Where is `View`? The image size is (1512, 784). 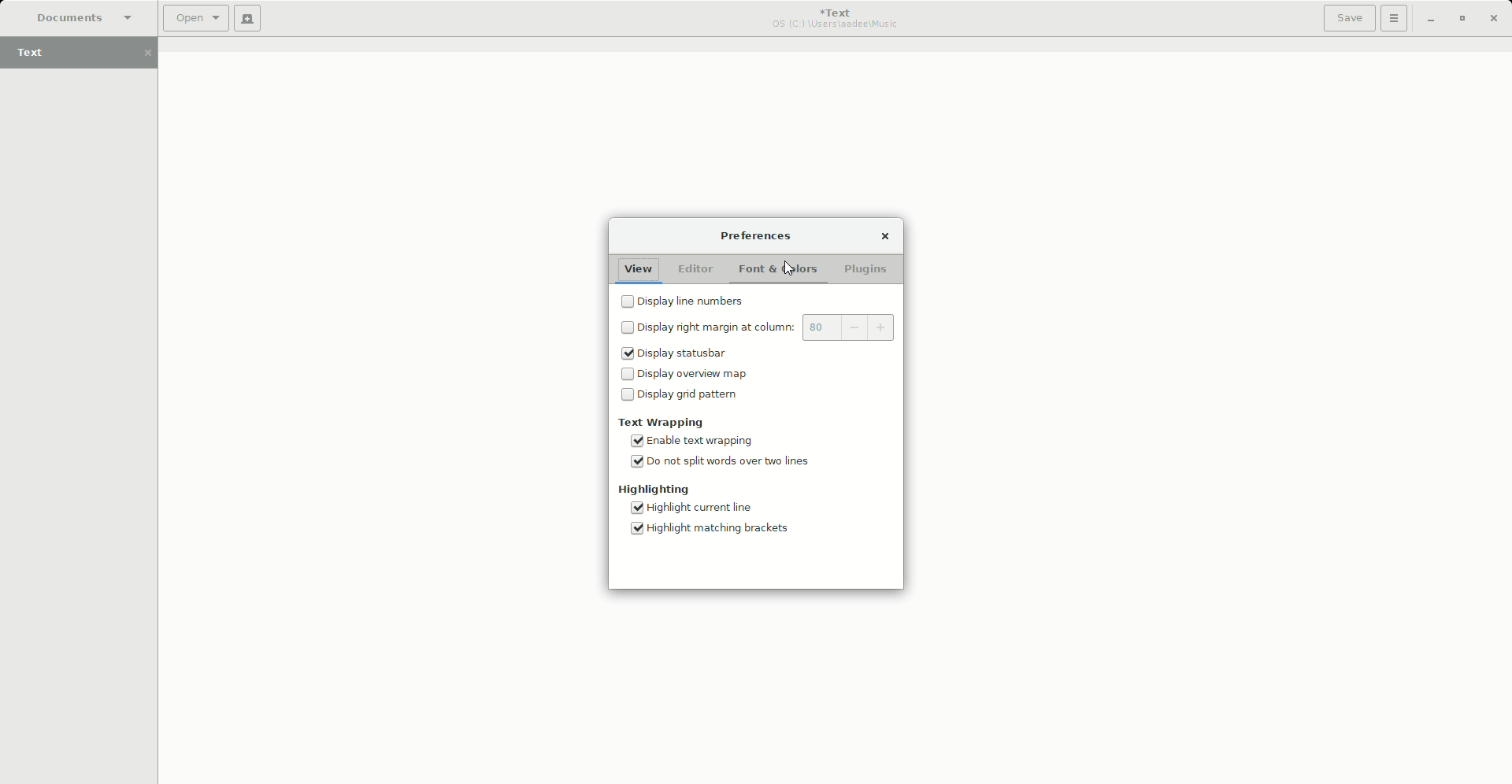
View is located at coordinates (637, 265).